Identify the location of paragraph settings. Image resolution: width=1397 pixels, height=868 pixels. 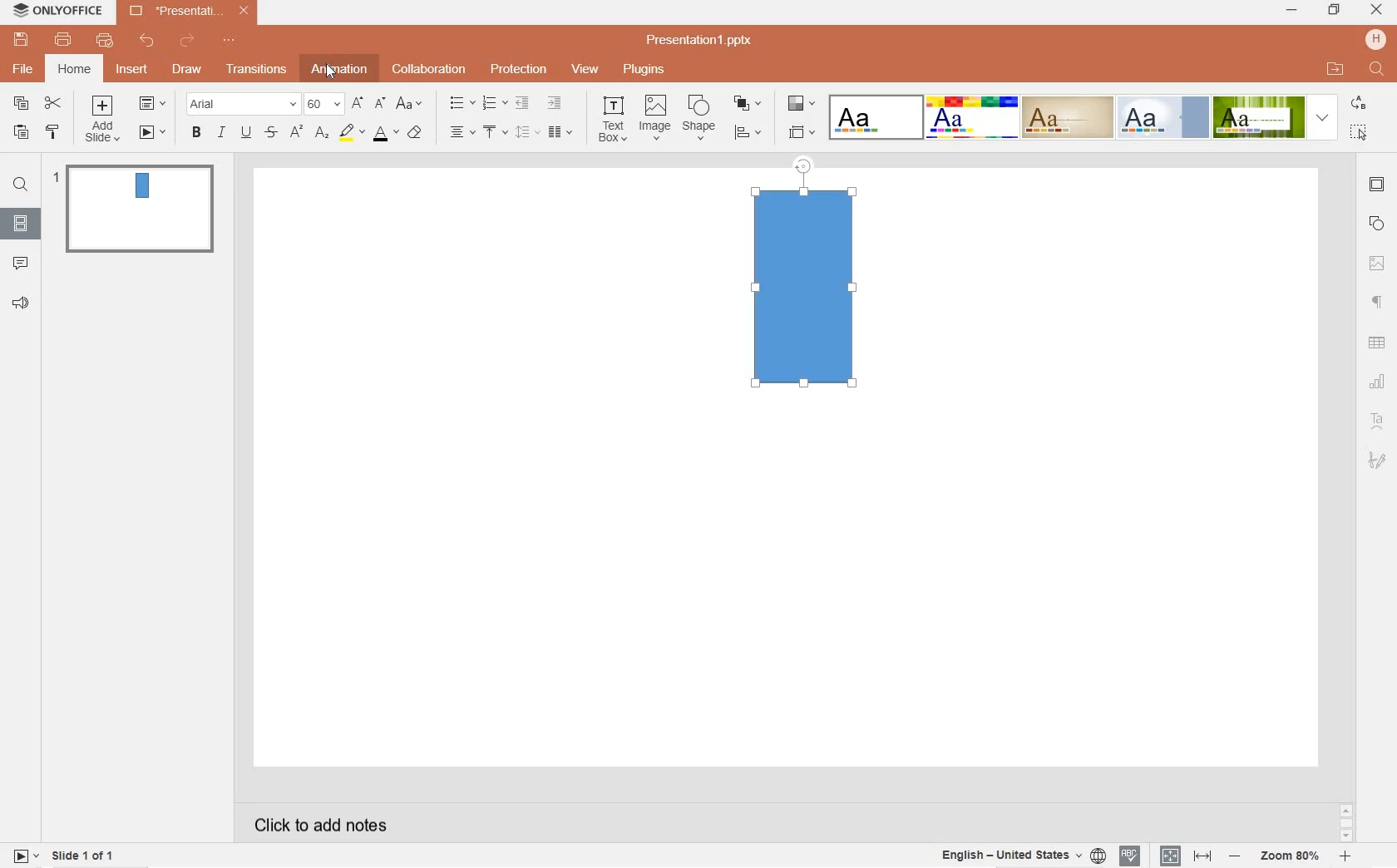
(1378, 301).